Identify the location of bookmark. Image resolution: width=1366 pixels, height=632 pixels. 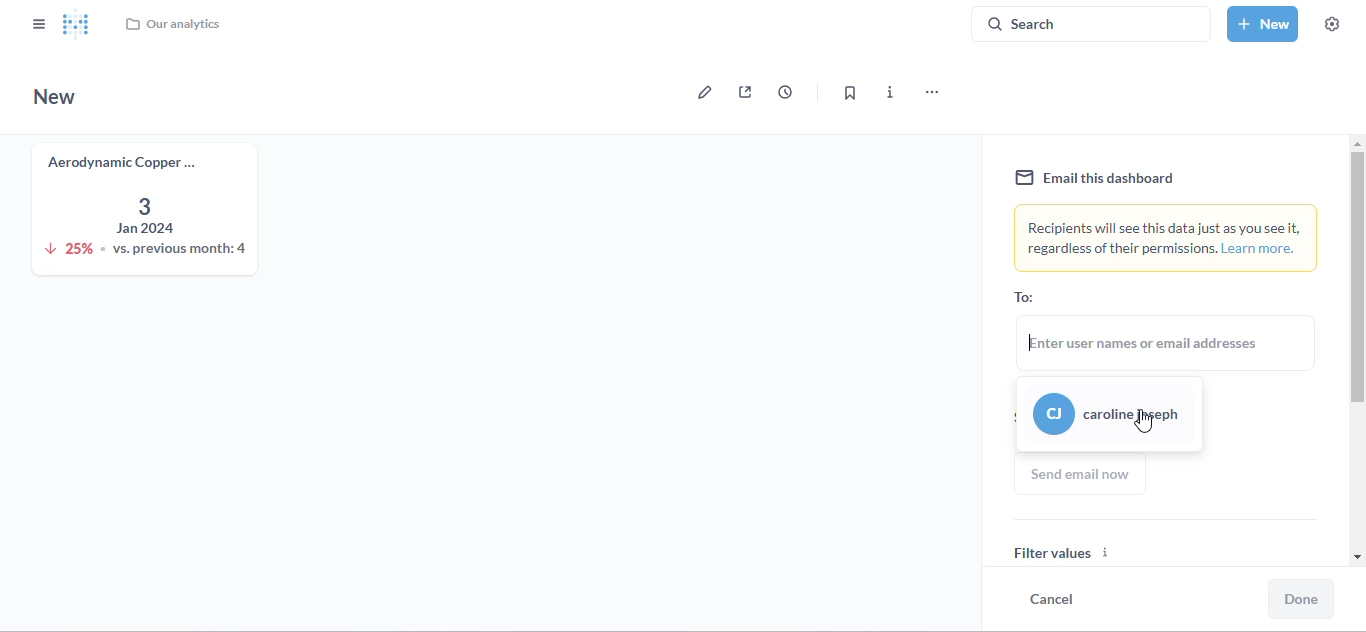
(849, 93).